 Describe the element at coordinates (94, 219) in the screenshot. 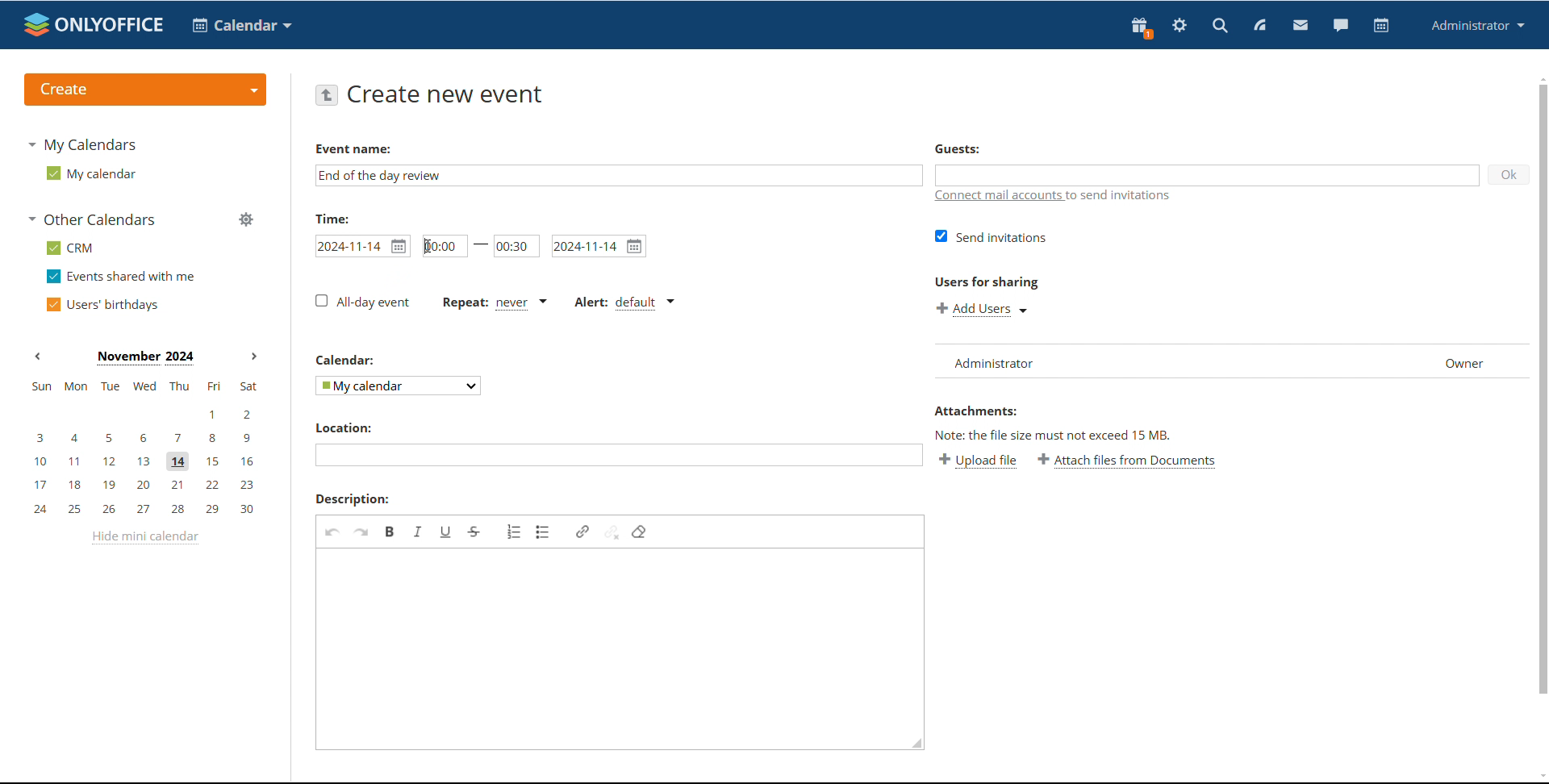

I see `other calendars` at that location.